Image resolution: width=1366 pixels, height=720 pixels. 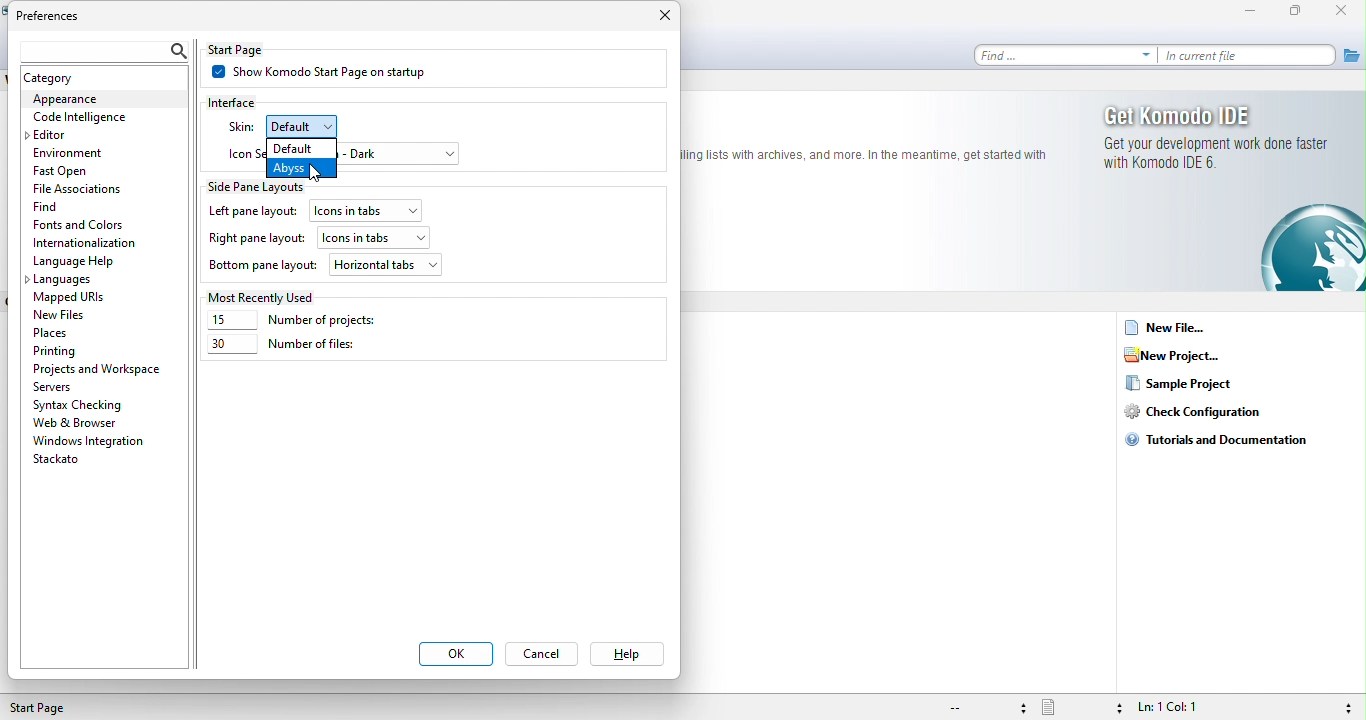 I want to click on file encoding, so click(x=985, y=708).